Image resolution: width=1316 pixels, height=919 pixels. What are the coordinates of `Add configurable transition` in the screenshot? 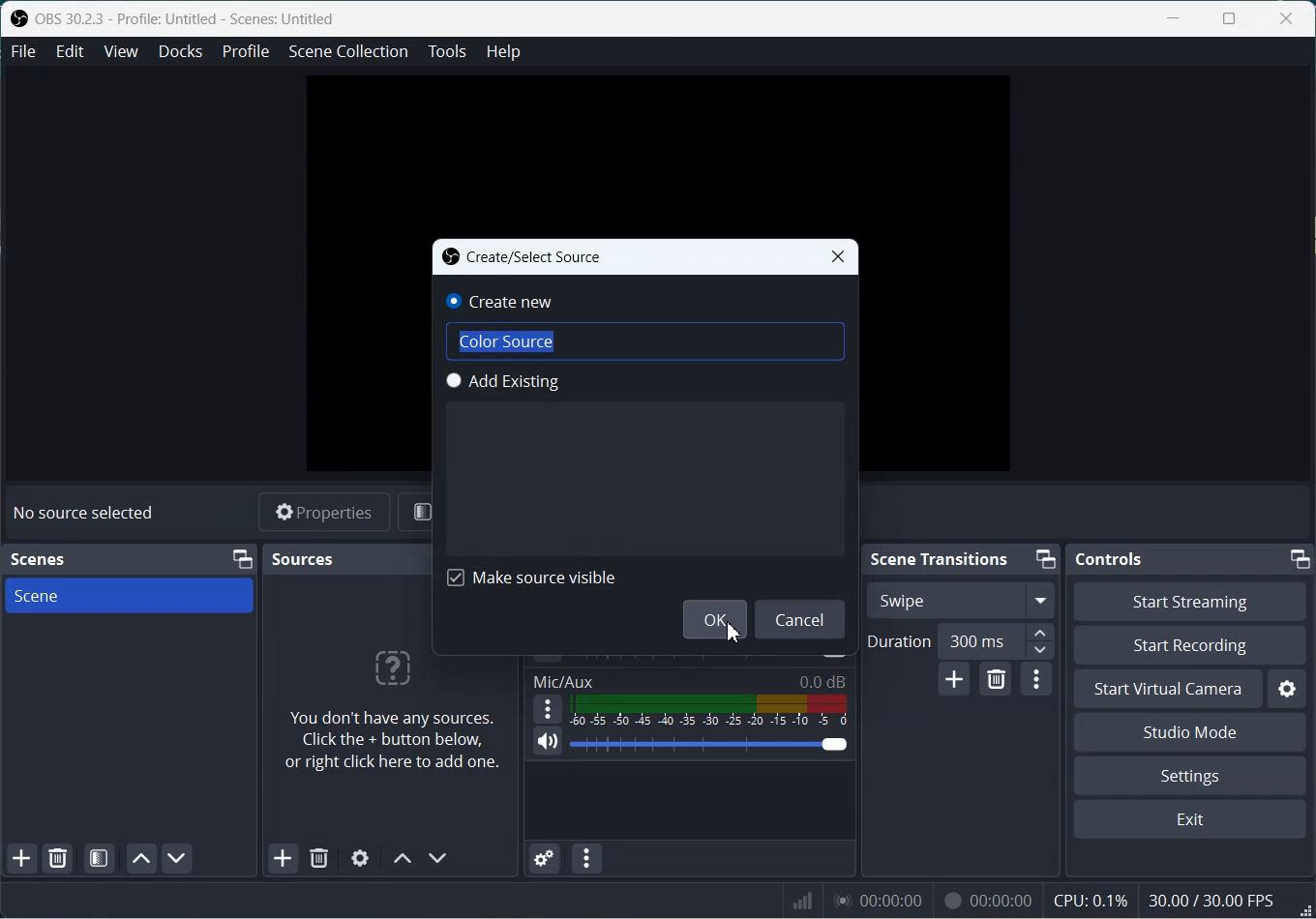 It's located at (956, 681).